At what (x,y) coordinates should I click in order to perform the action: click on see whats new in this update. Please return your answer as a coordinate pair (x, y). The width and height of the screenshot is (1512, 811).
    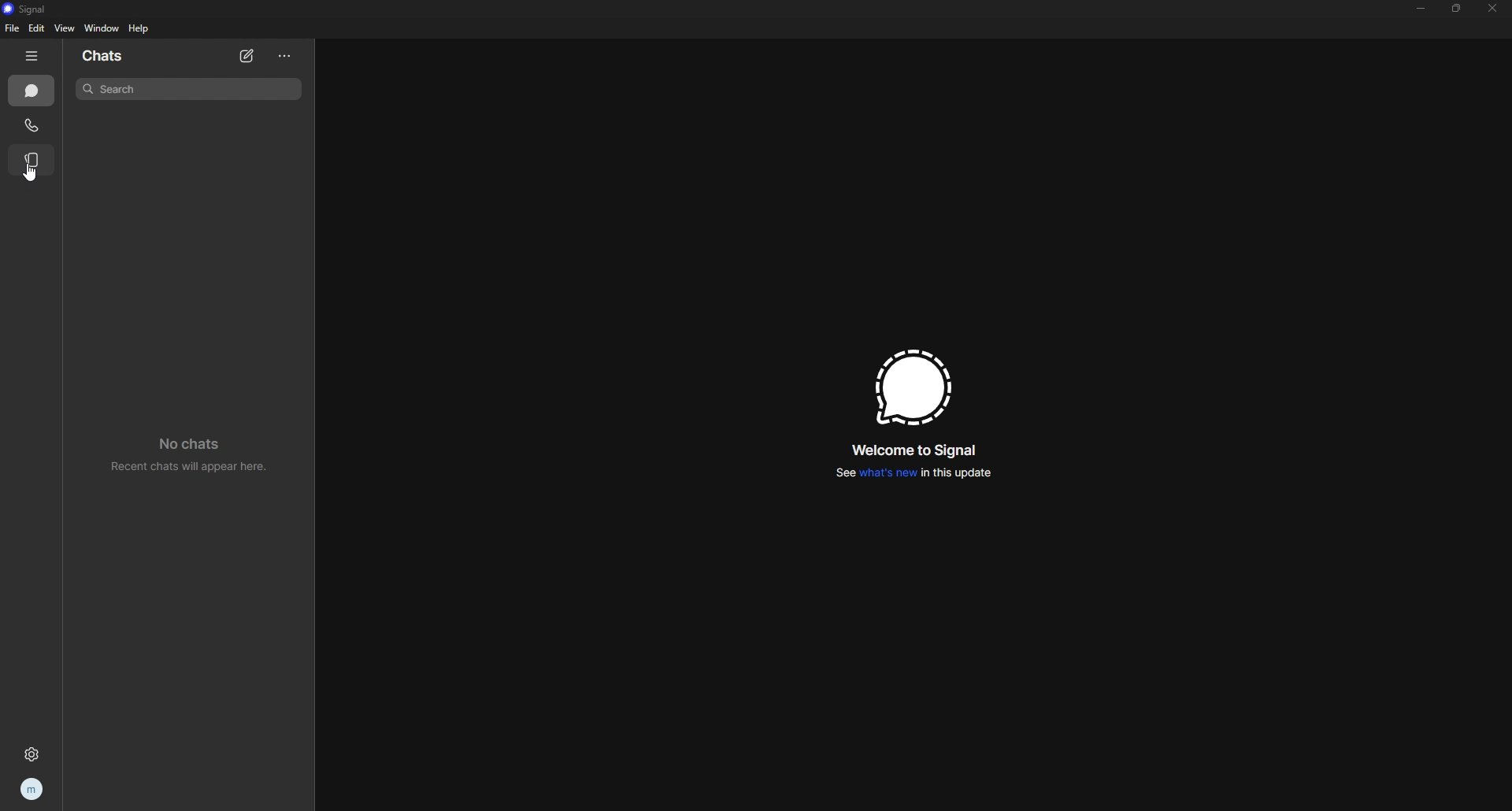
    Looking at the image, I should click on (912, 473).